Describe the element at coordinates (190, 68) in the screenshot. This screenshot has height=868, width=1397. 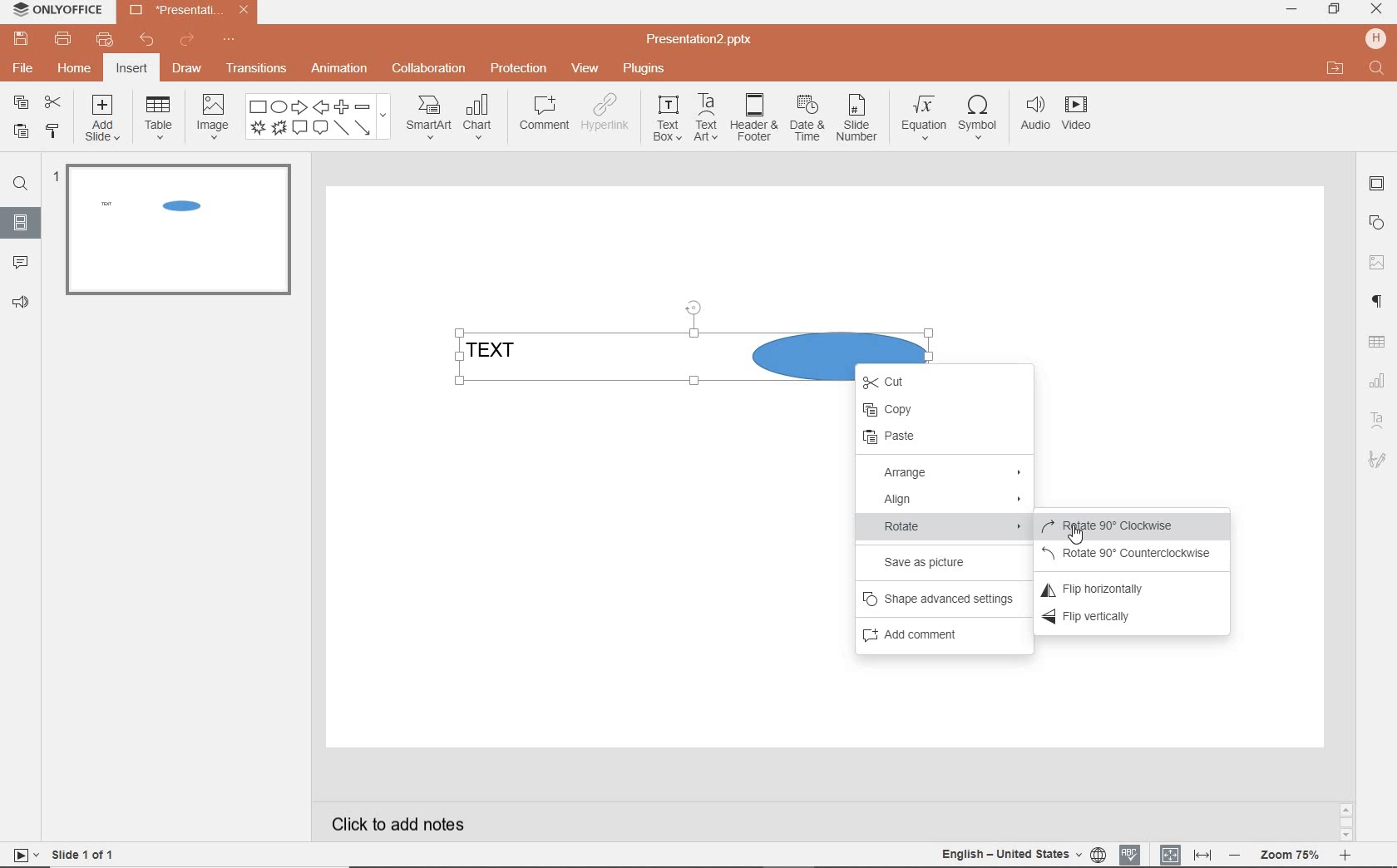
I see `draw` at that location.